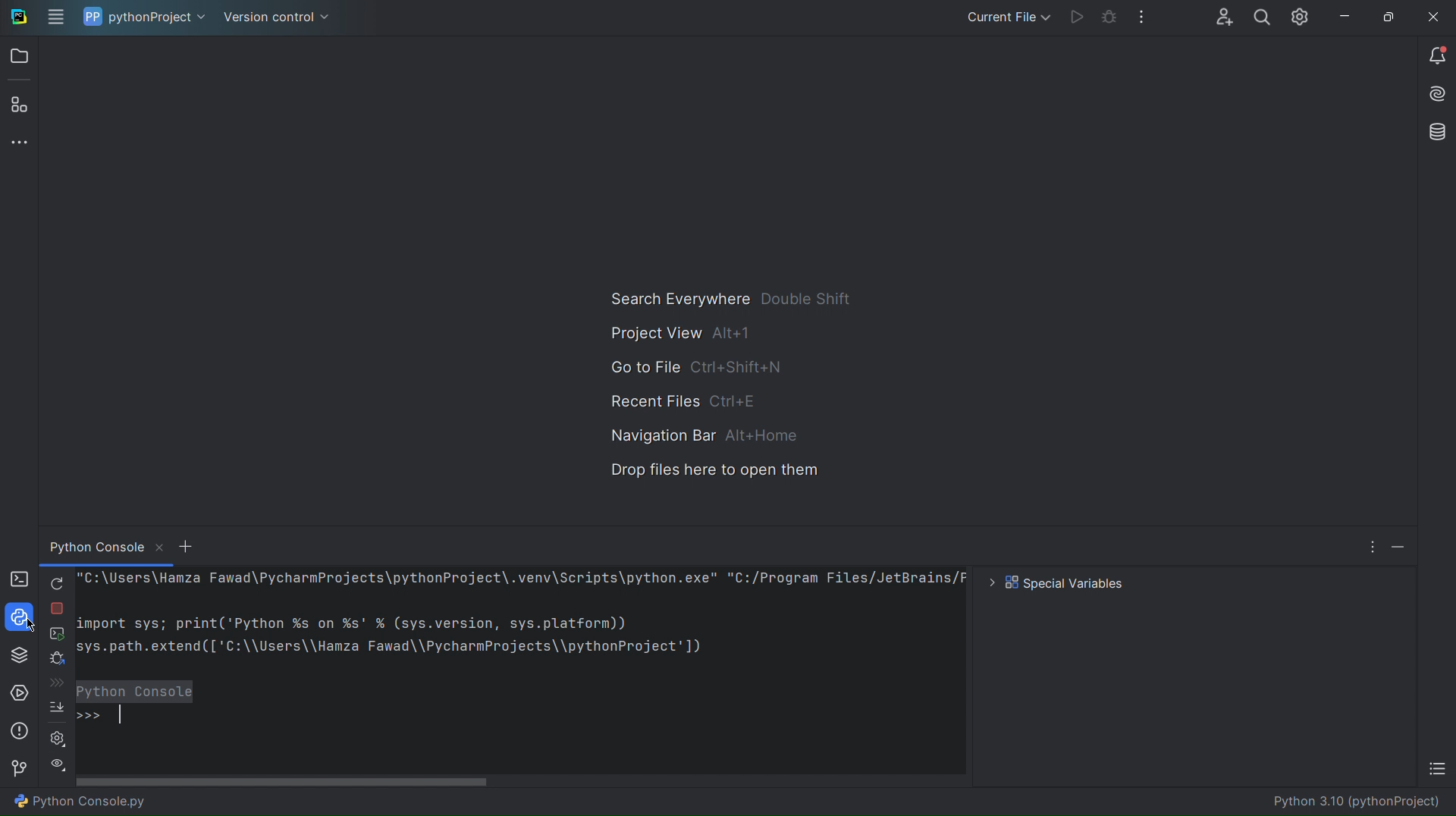  Describe the element at coordinates (1398, 546) in the screenshot. I see `Minimize` at that location.